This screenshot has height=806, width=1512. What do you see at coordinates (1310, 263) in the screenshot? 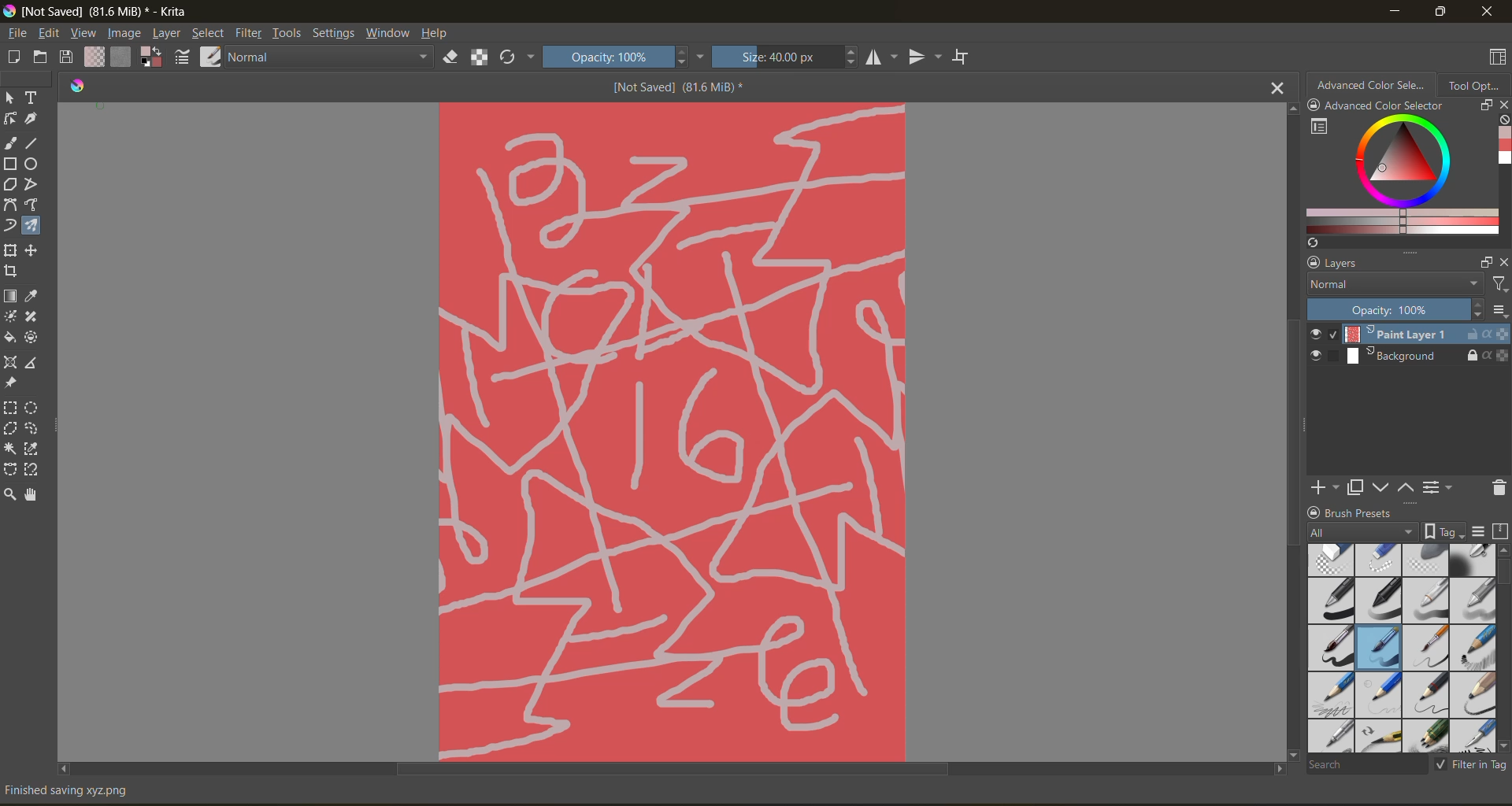
I see `lock/unlock docker` at bounding box center [1310, 263].